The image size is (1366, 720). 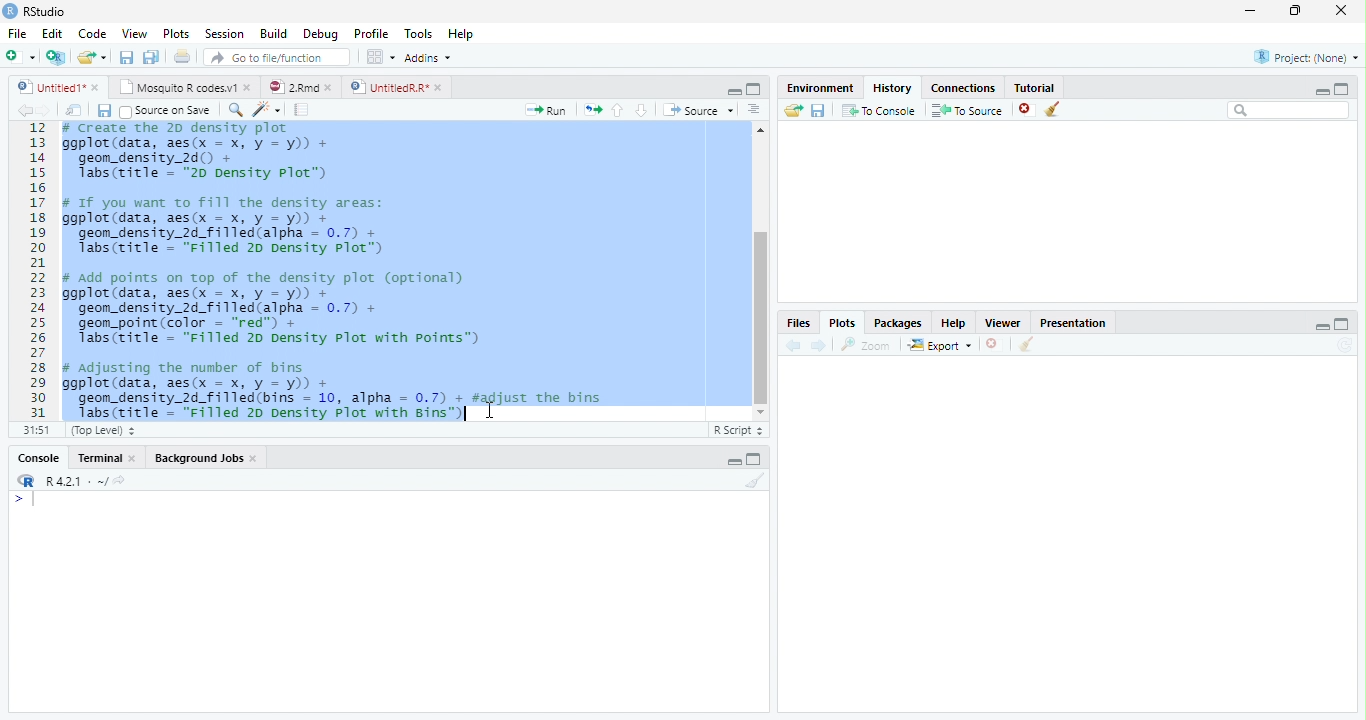 What do you see at coordinates (698, 110) in the screenshot?
I see `Source` at bounding box center [698, 110].